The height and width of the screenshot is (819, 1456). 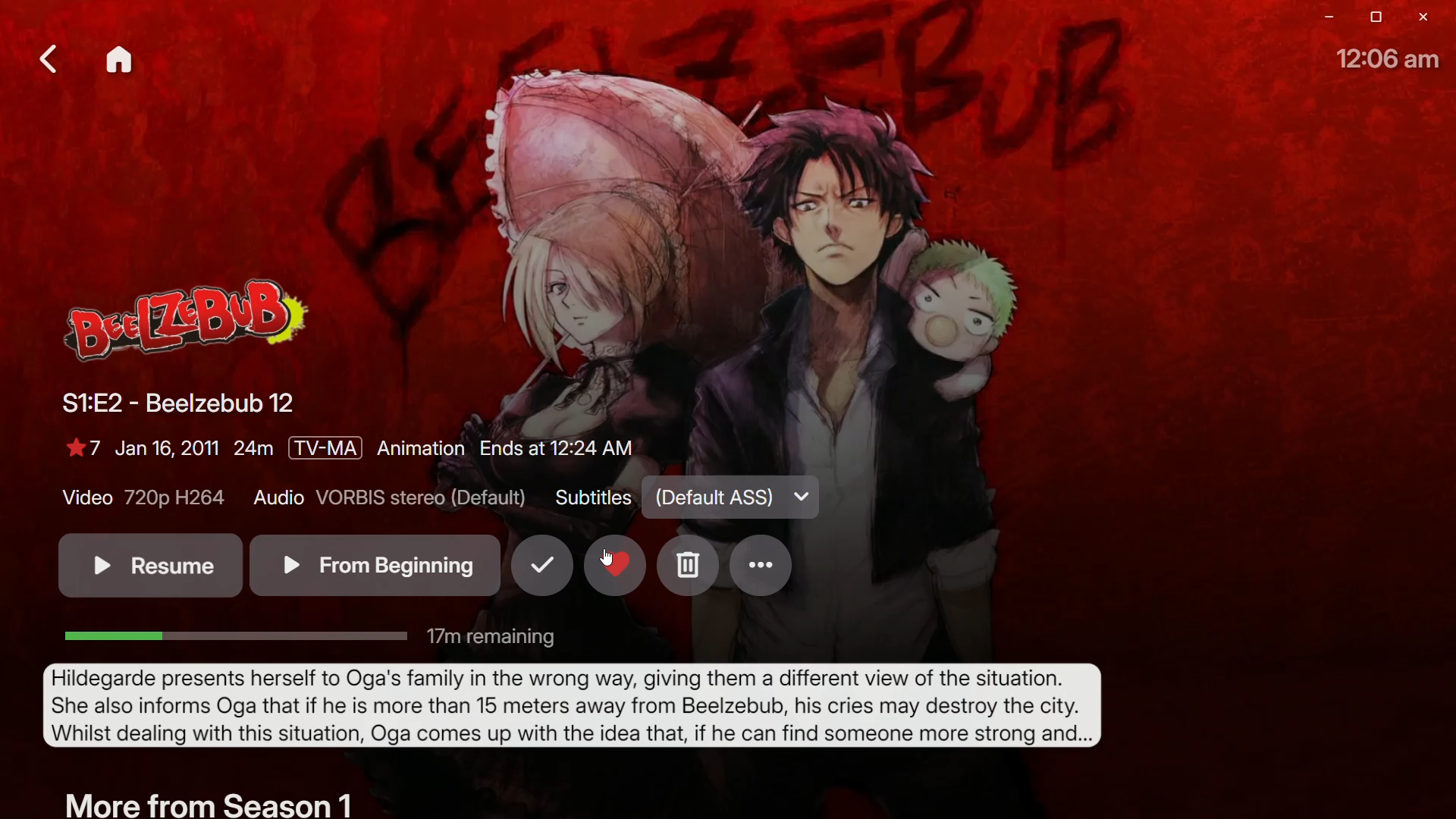 I want to click on Favorite, so click(x=614, y=588).